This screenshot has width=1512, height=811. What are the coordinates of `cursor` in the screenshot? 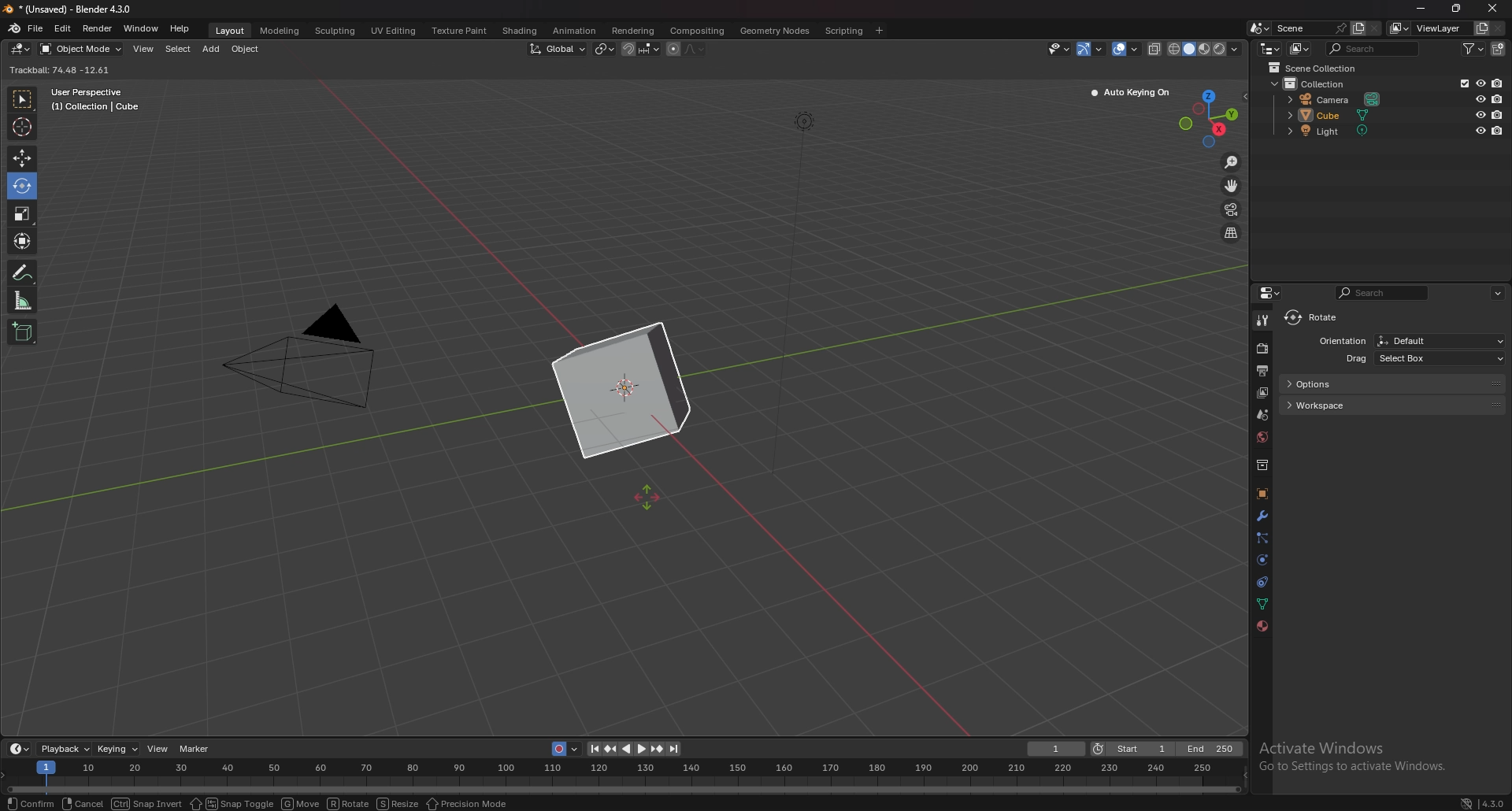 It's located at (650, 500).